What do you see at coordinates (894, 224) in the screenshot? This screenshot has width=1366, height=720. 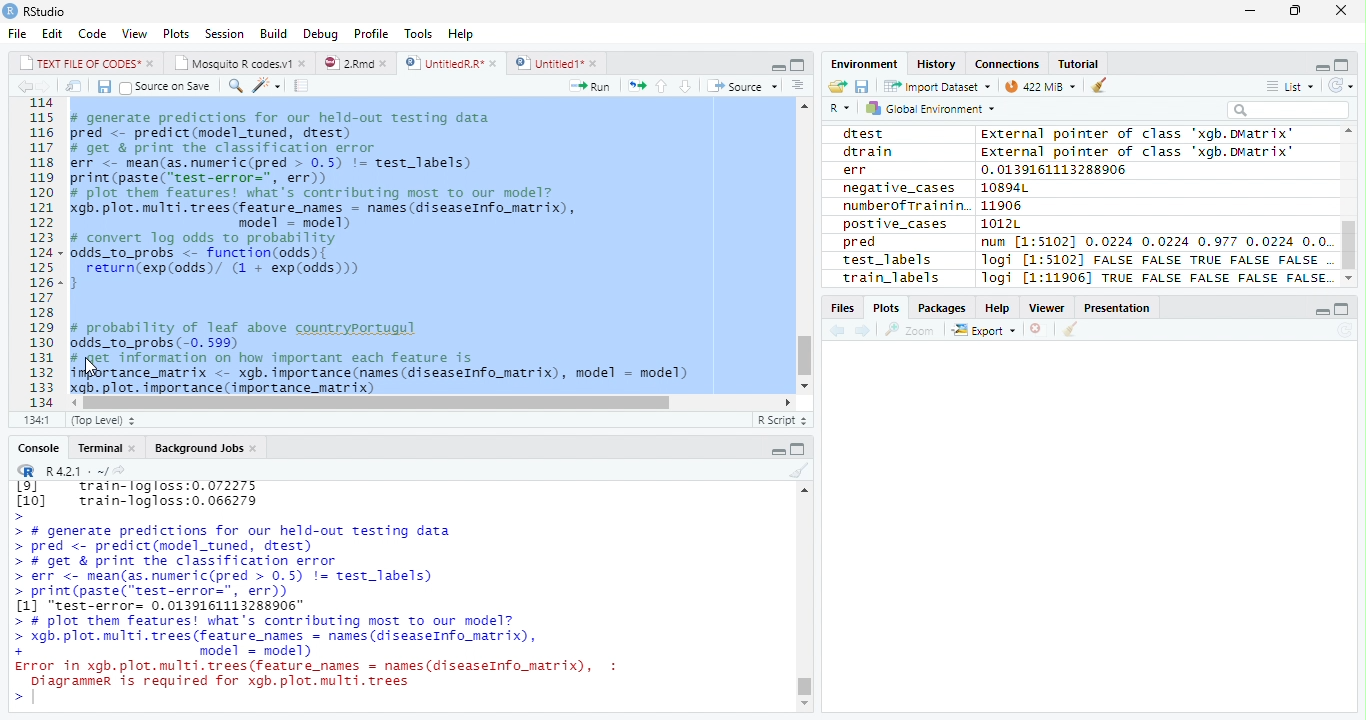 I see `postive_cases` at bounding box center [894, 224].